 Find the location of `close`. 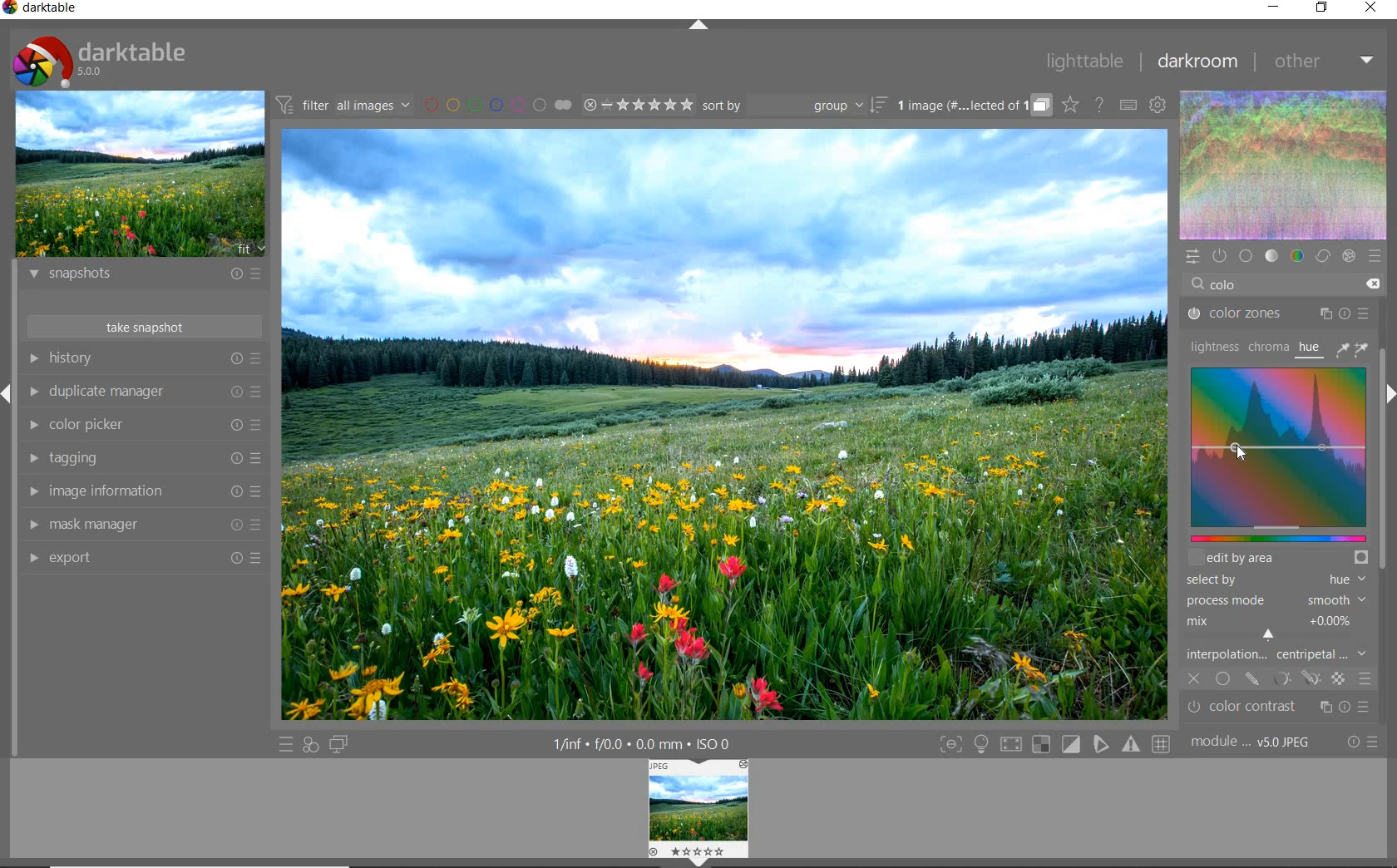

close is located at coordinates (1372, 7).